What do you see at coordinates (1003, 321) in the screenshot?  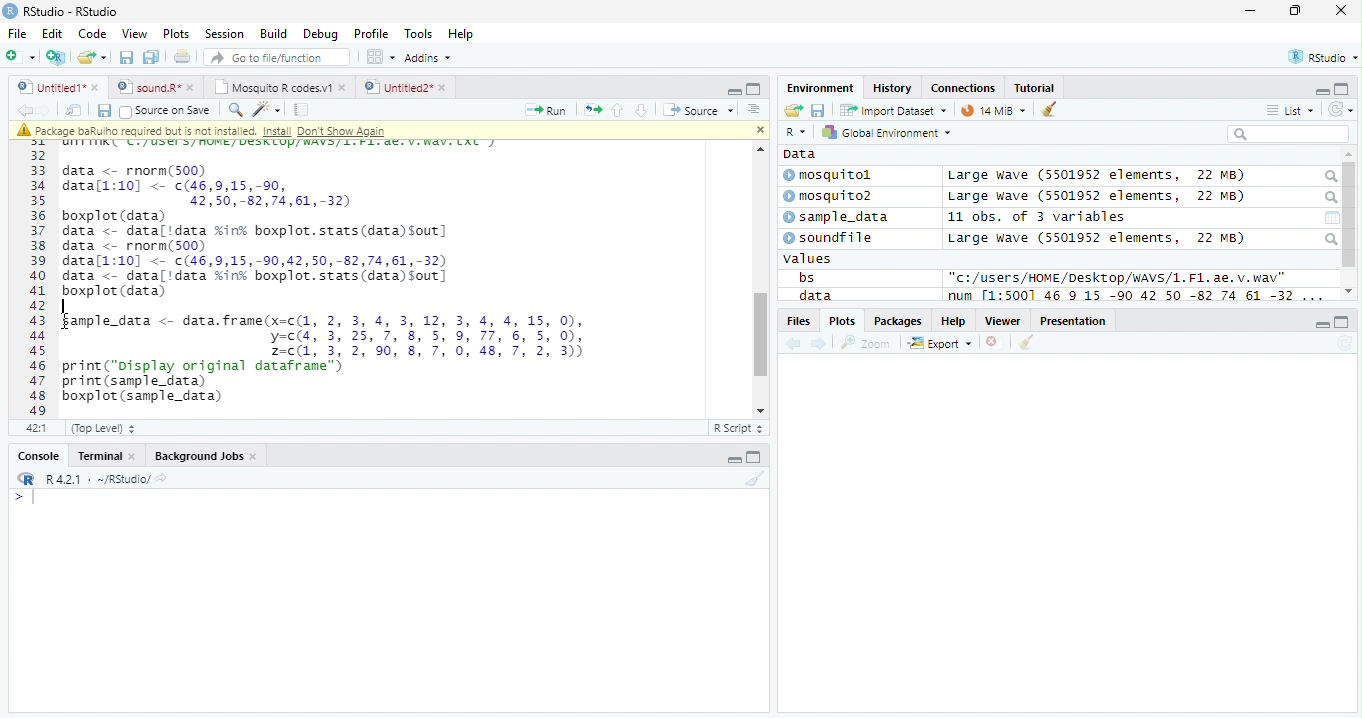 I see `Viewer` at bounding box center [1003, 321].